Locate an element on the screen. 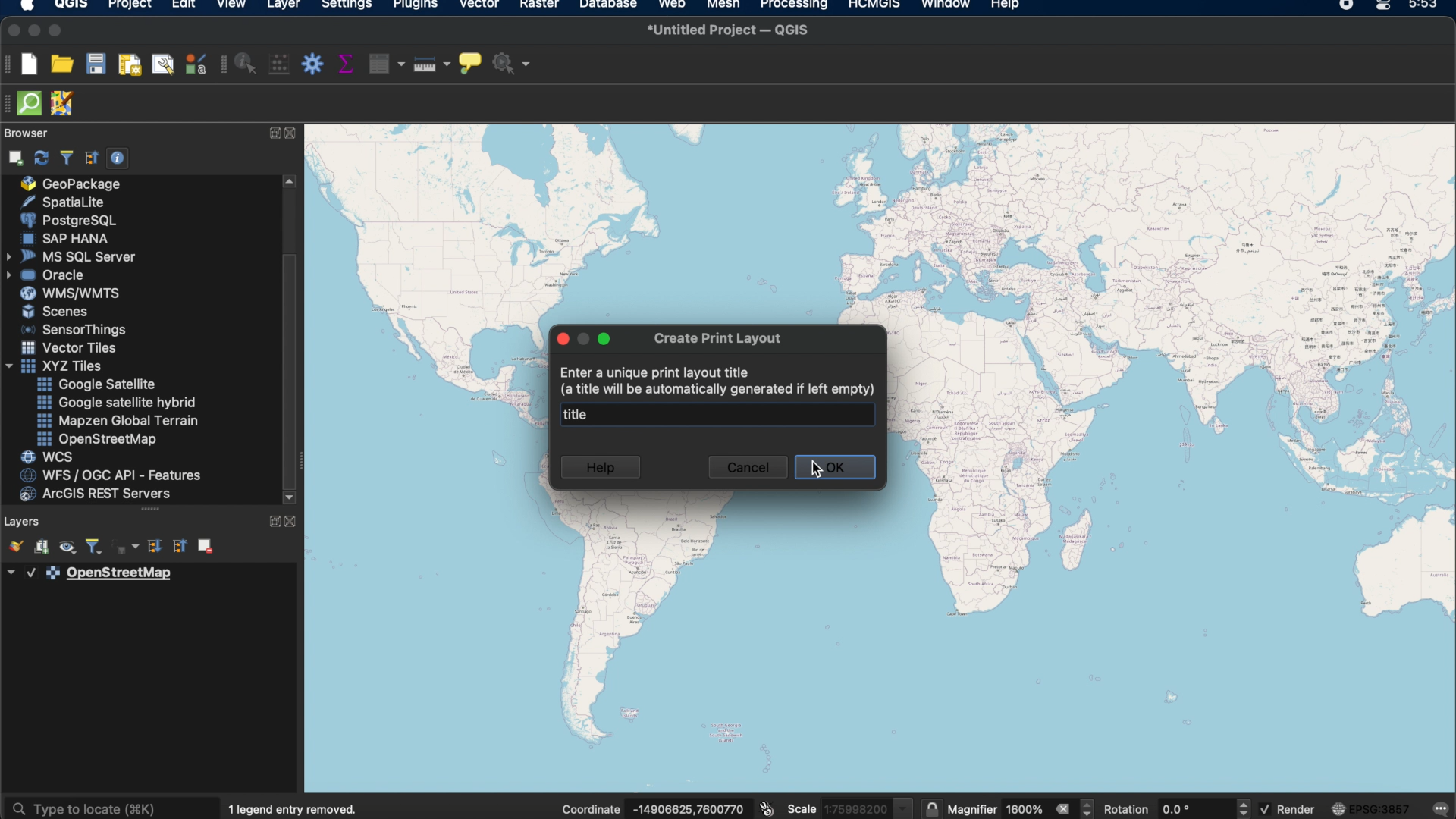  raster is located at coordinates (538, 6).